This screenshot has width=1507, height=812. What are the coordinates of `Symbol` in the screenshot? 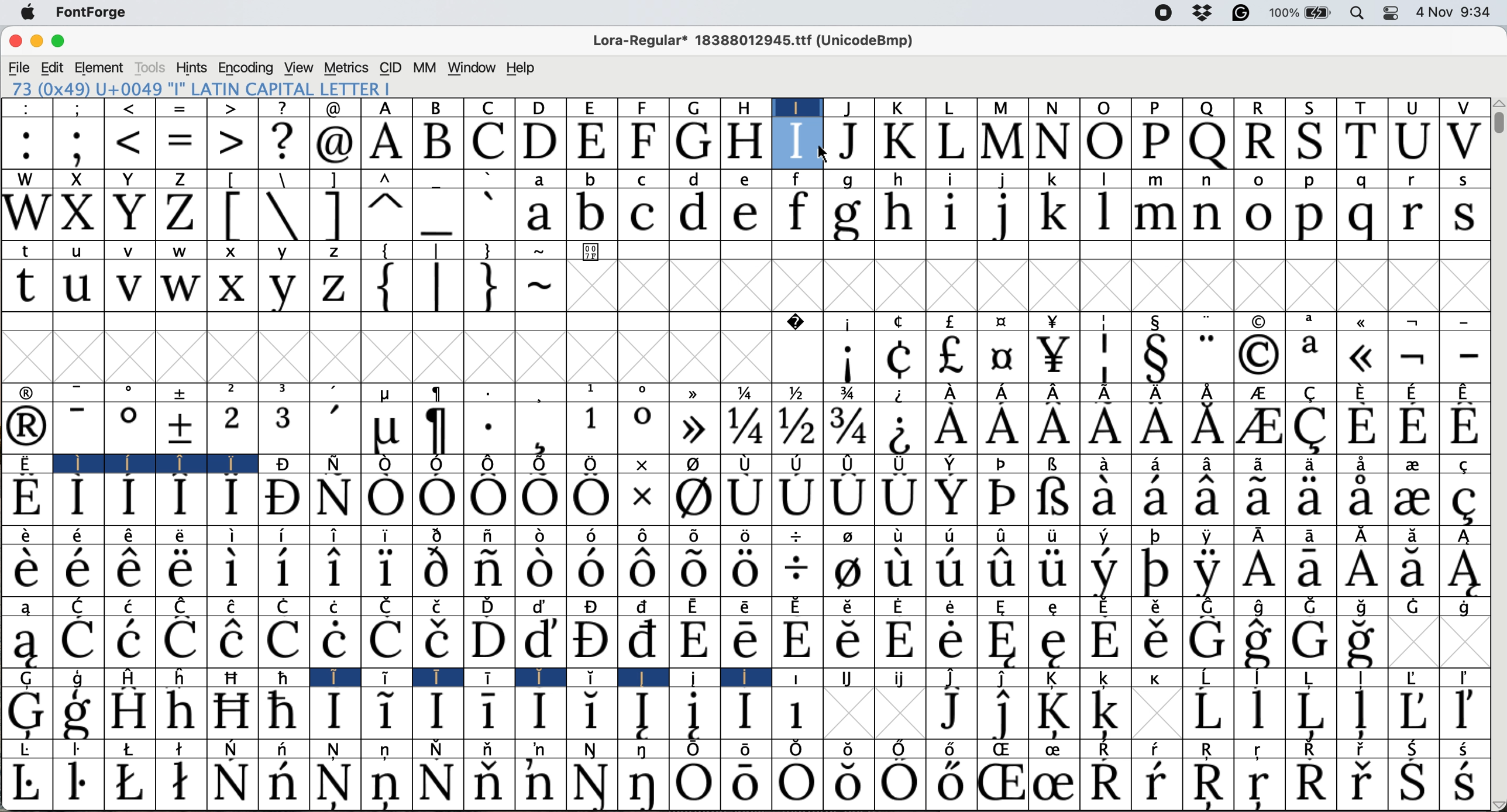 It's located at (77, 569).